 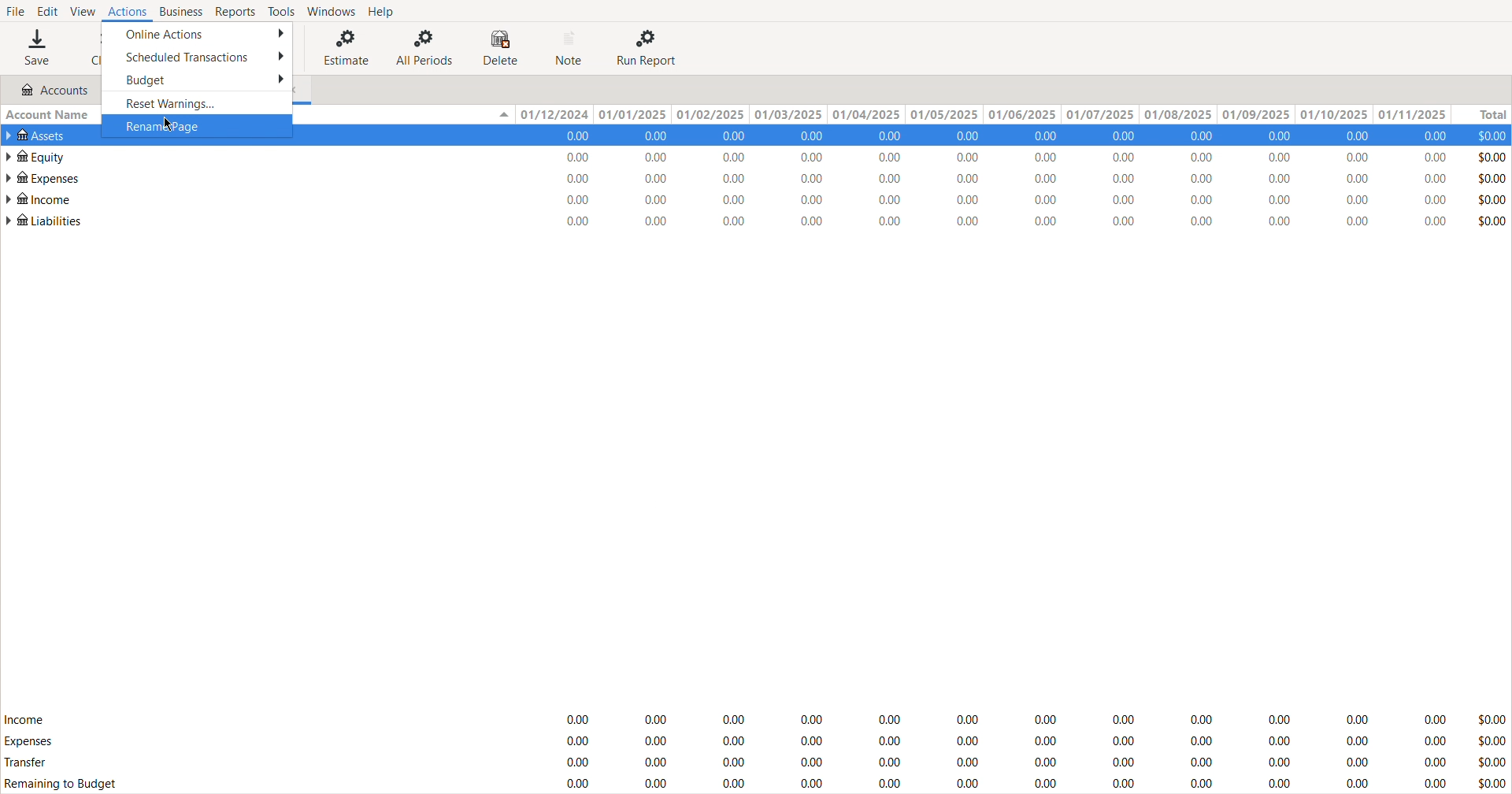 I want to click on Note, so click(x=571, y=48).